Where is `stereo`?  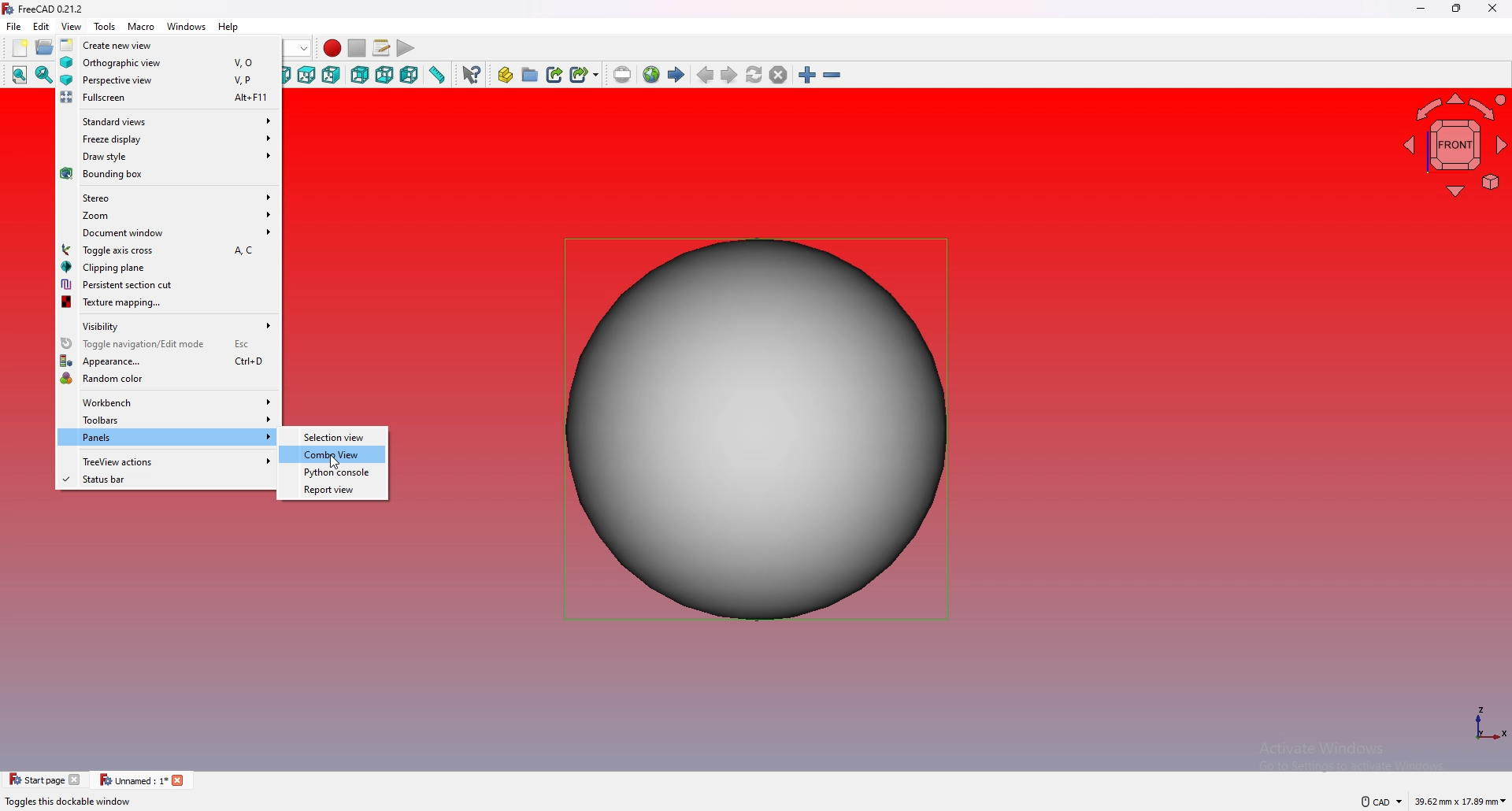
stereo is located at coordinates (169, 196).